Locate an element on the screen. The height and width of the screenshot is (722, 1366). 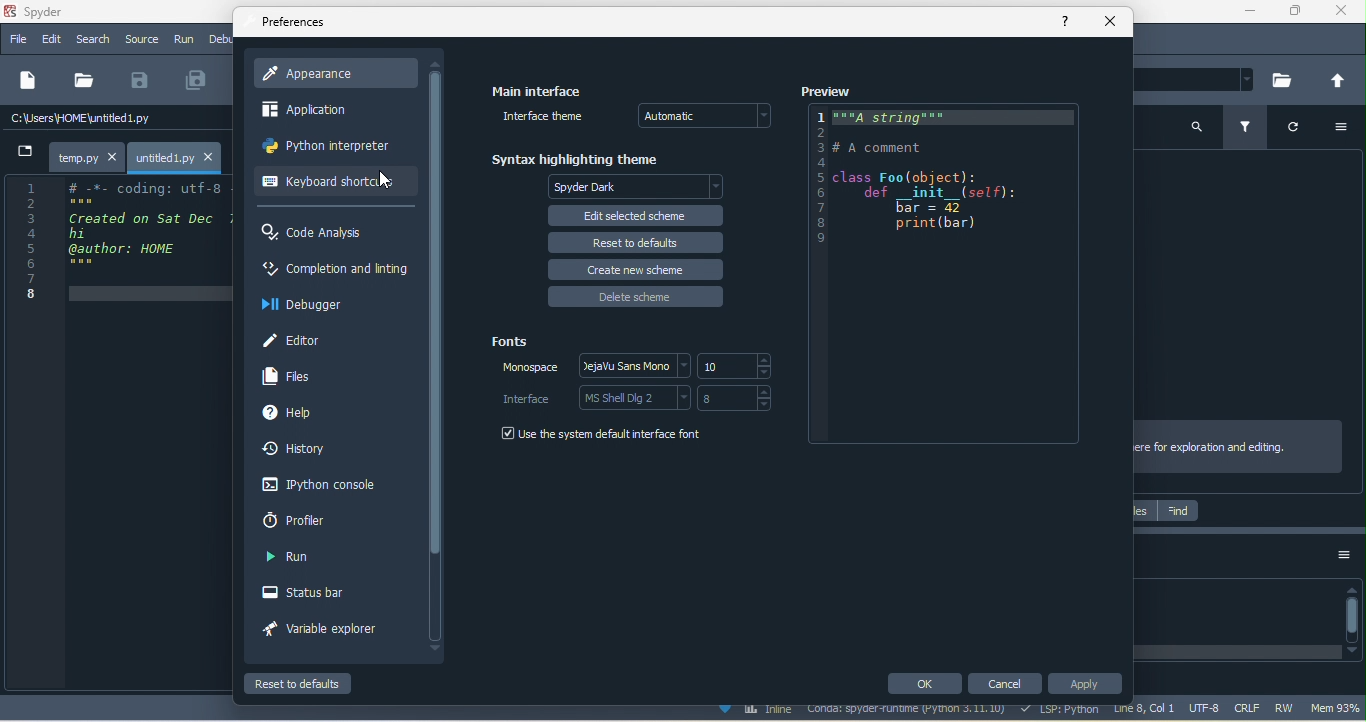
status bar is located at coordinates (310, 590).